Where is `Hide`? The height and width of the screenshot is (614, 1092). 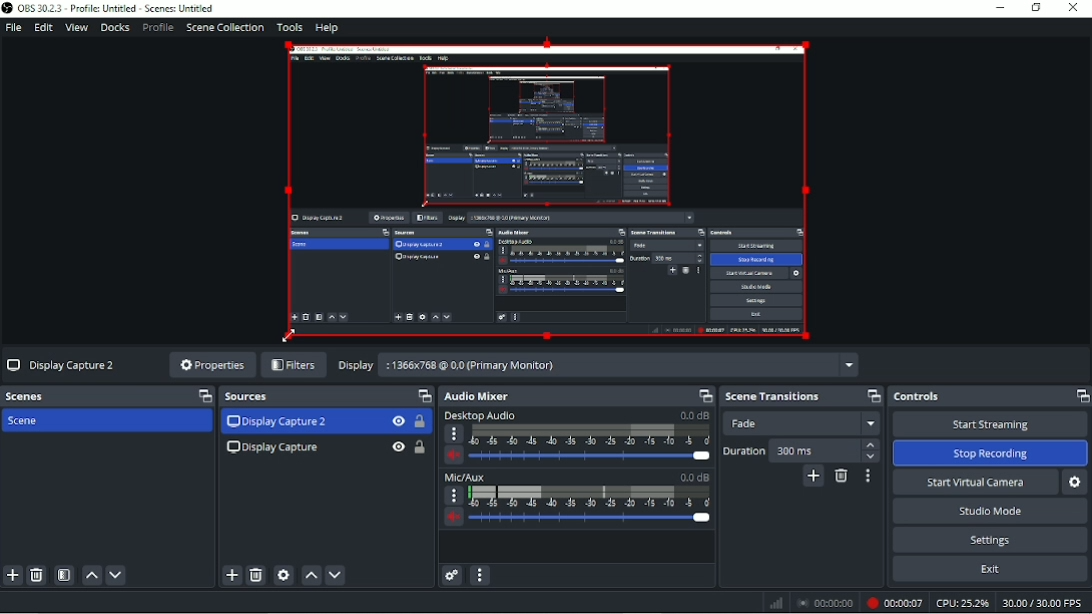
Hide is located at coordinates (398, 422).